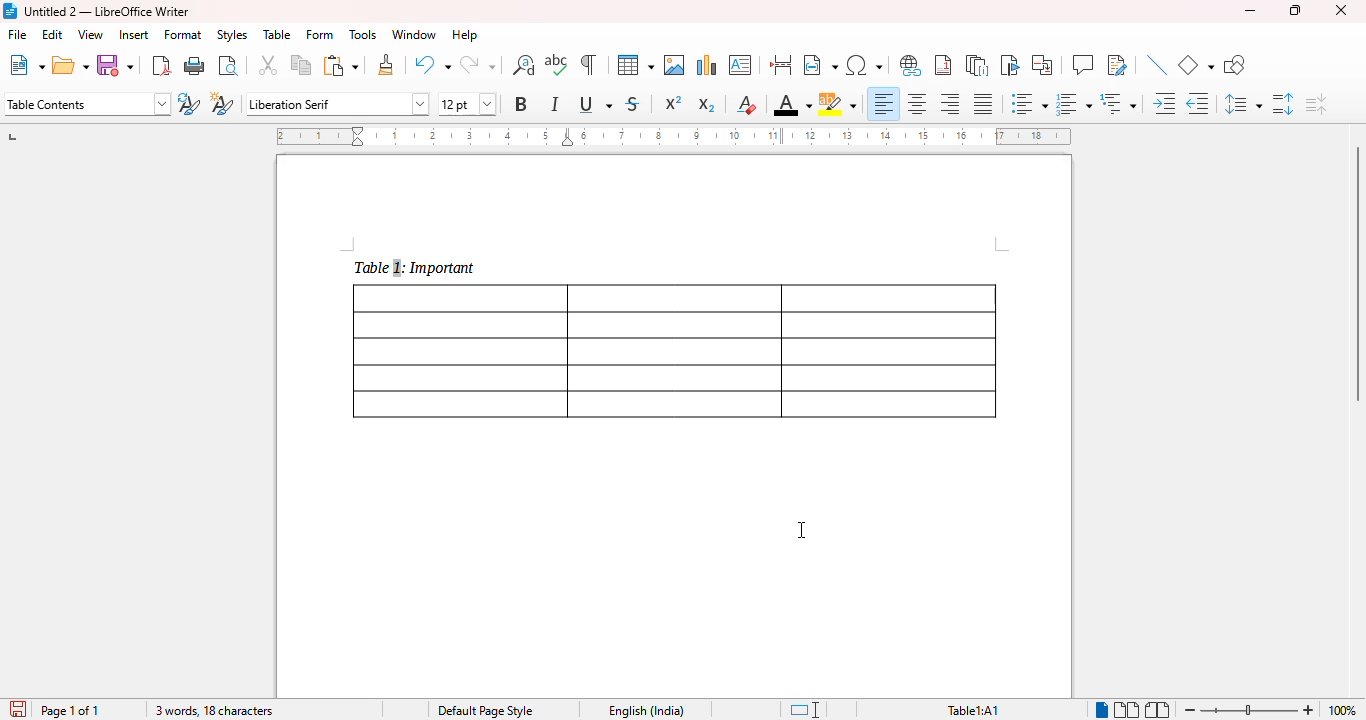 This screenshot has width=1366, height=720. What do you see at coordinates (647, 711) in the screenshot?
I see `text language` at bounding box center [647, 711].